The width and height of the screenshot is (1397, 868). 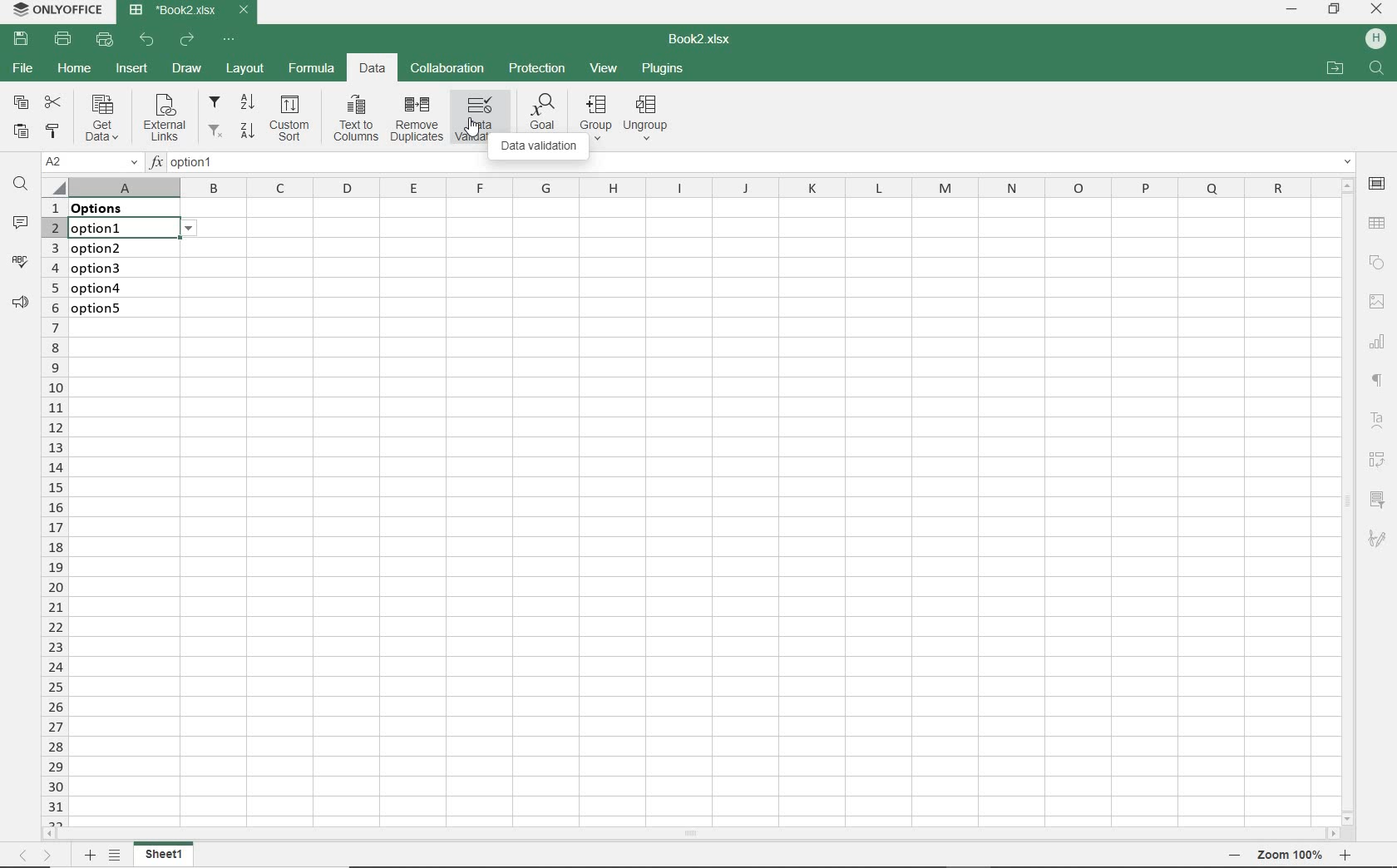 I want to click on SPELL CHECKING, so click(x=17, y=259).